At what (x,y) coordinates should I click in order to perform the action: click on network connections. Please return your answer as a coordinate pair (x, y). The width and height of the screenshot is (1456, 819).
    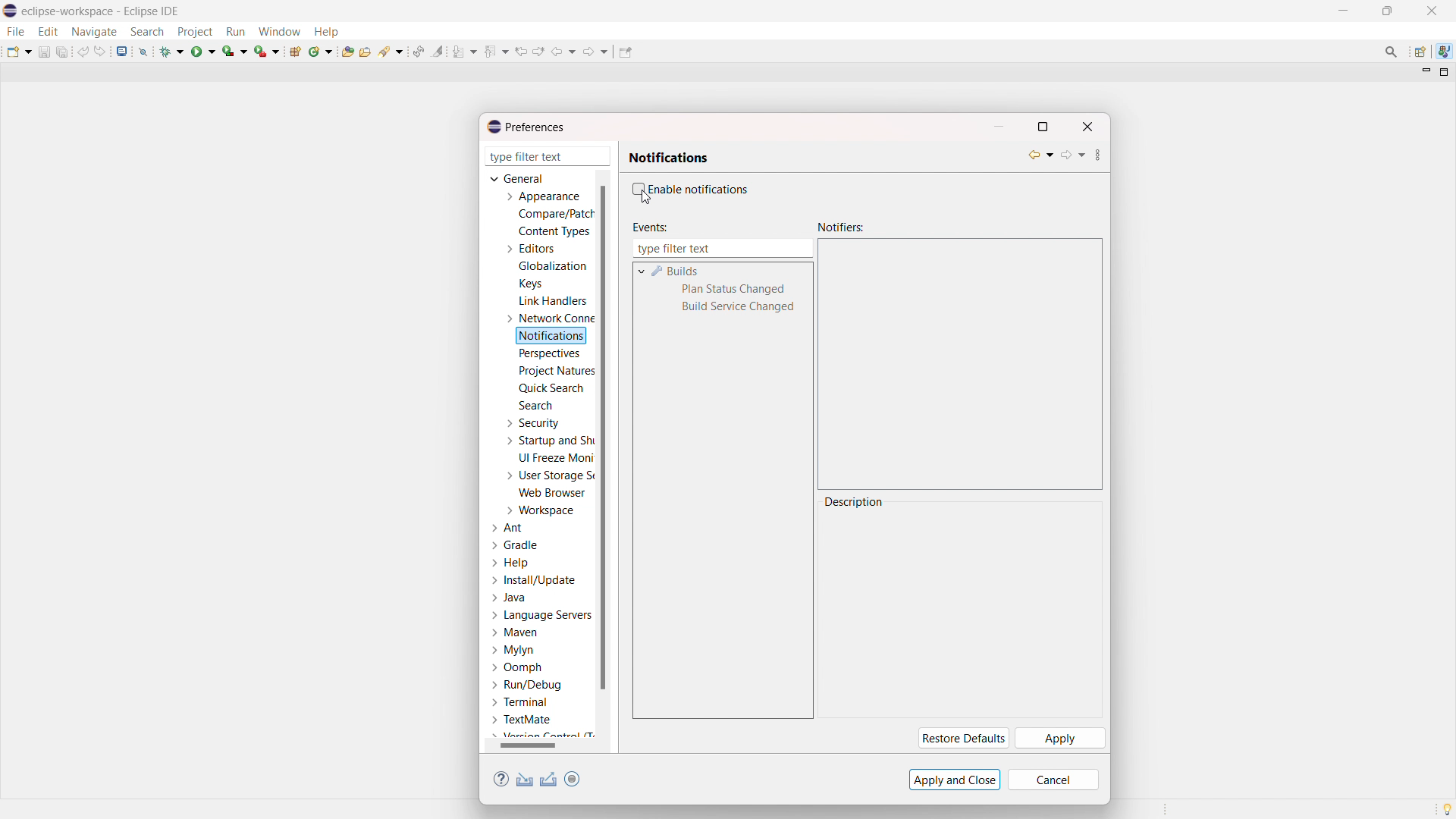
    Looking at the image, I should click on (548, 318).